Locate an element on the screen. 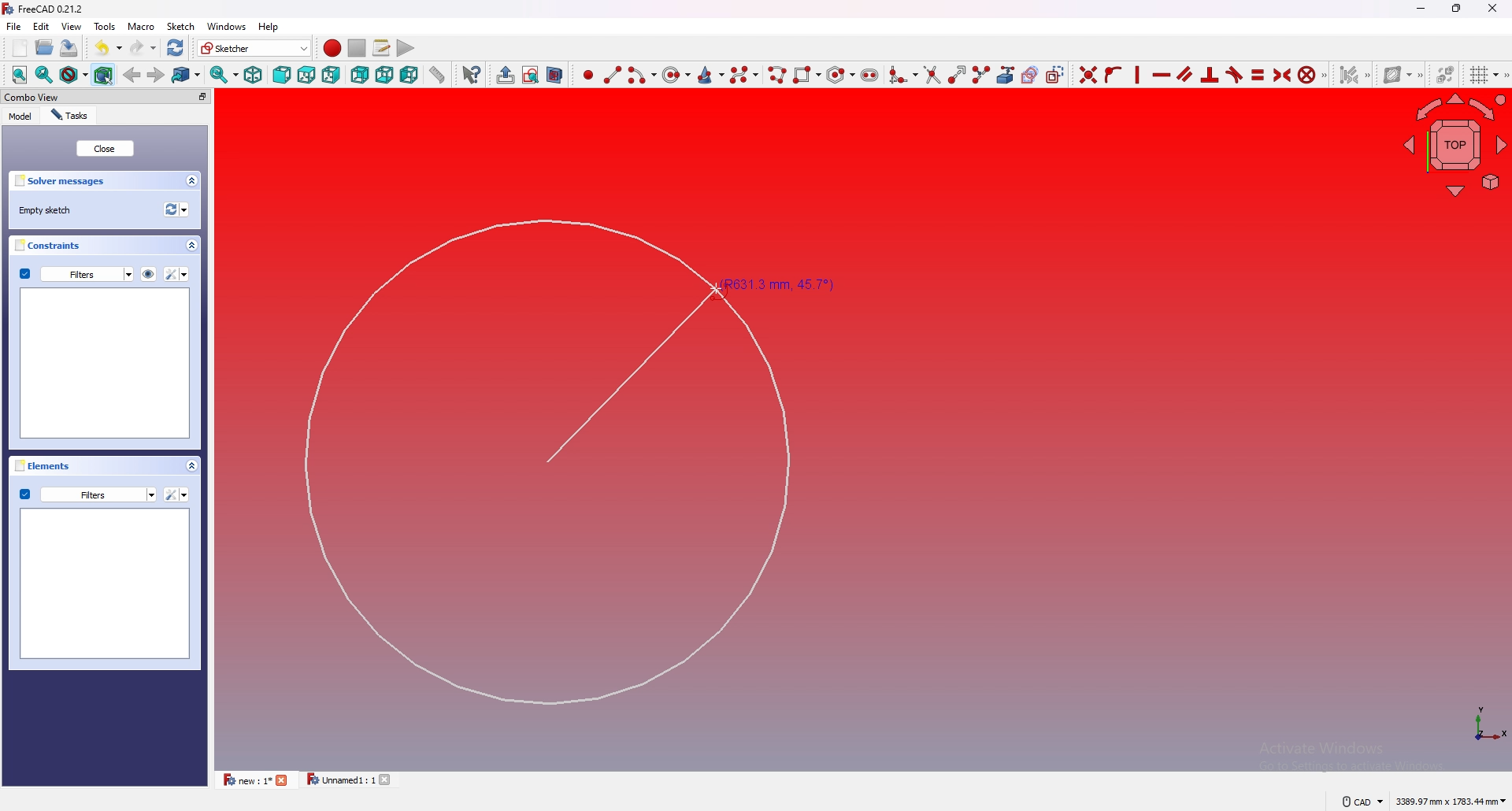  constrain equal is located at coordinates (1258, 73).